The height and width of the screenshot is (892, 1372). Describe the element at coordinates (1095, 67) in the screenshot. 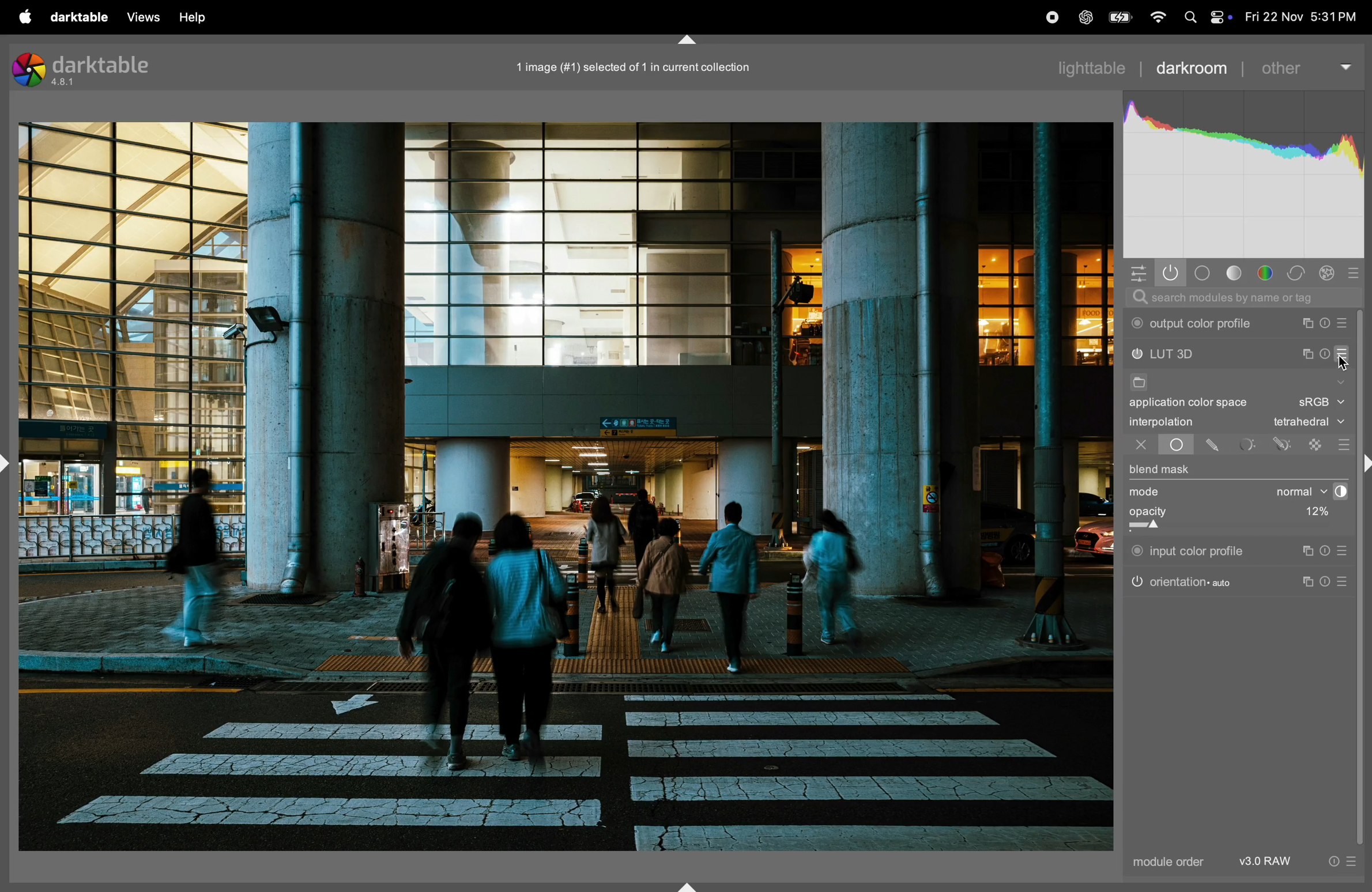

I see `lightable` at that location.